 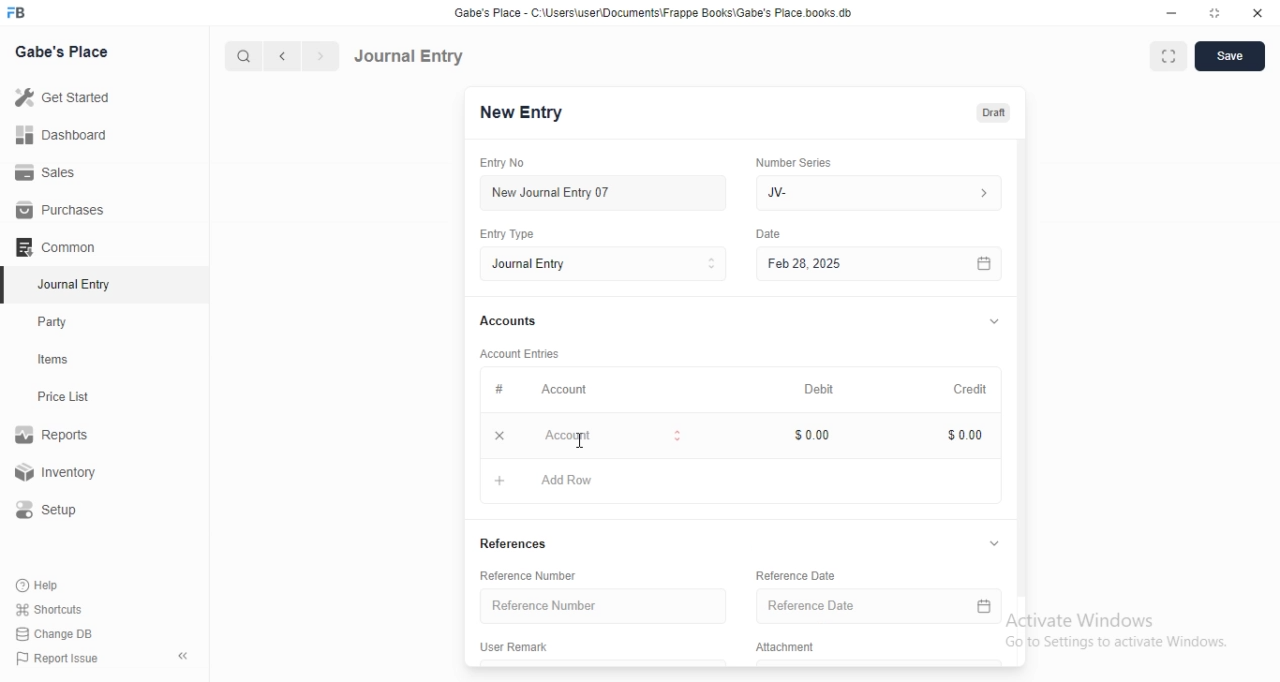 What do you see at coordinates (521, 113) in the screenshot?
I see `New Entry` at bounding box center [521, 113].